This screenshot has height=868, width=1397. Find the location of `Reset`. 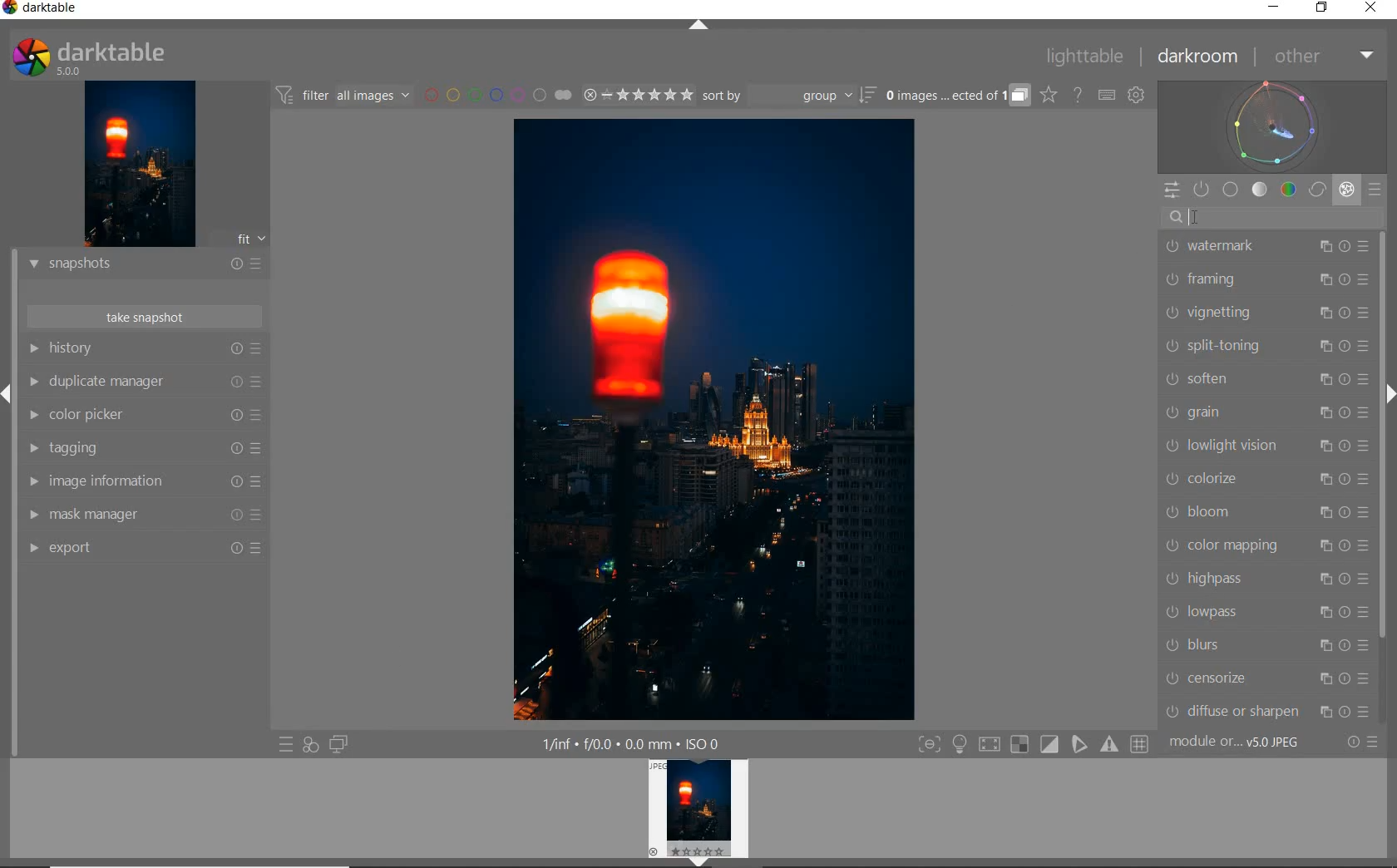

Reset is located at coordinates (234, 547).